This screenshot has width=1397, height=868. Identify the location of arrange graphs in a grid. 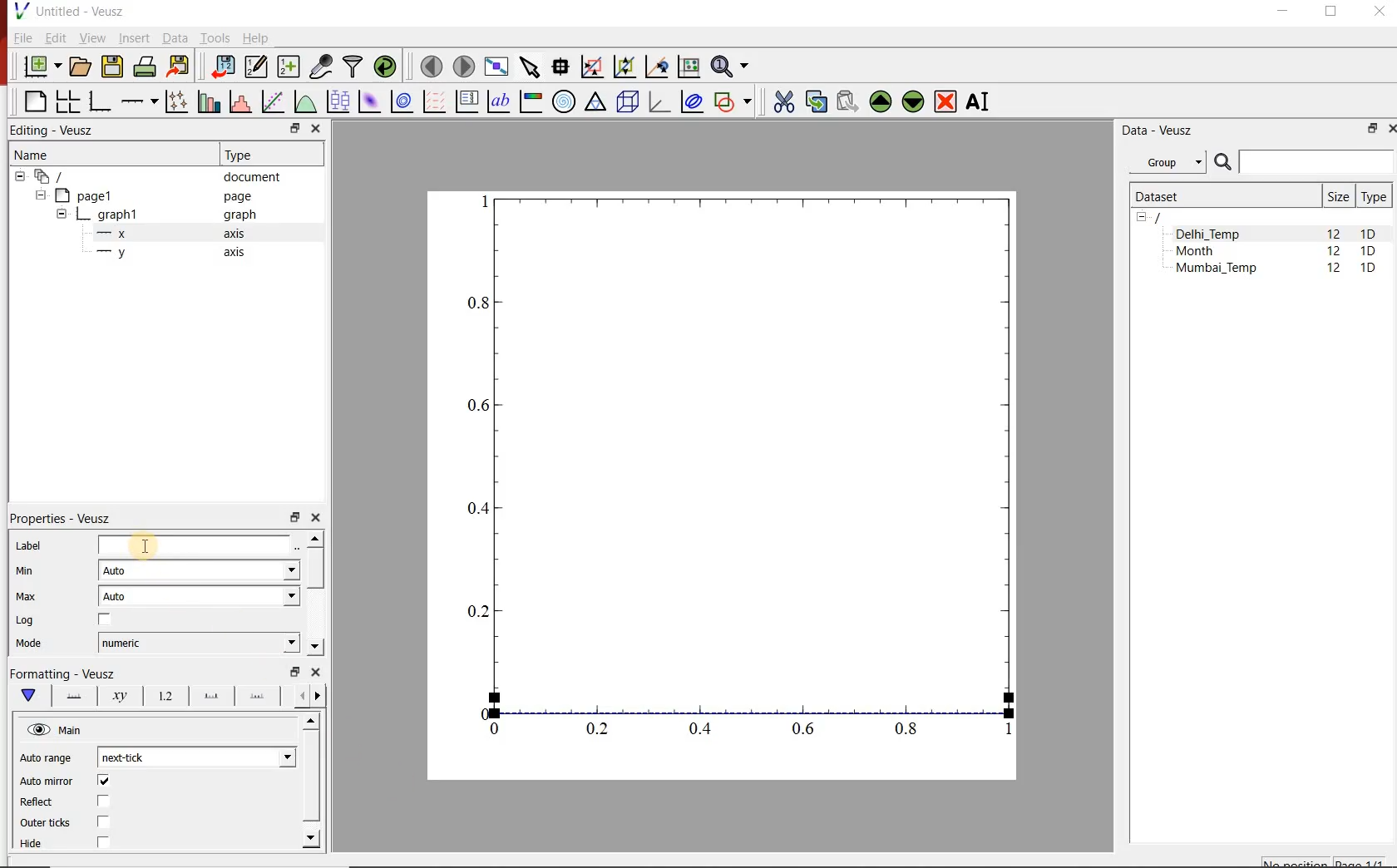
(67, 101).